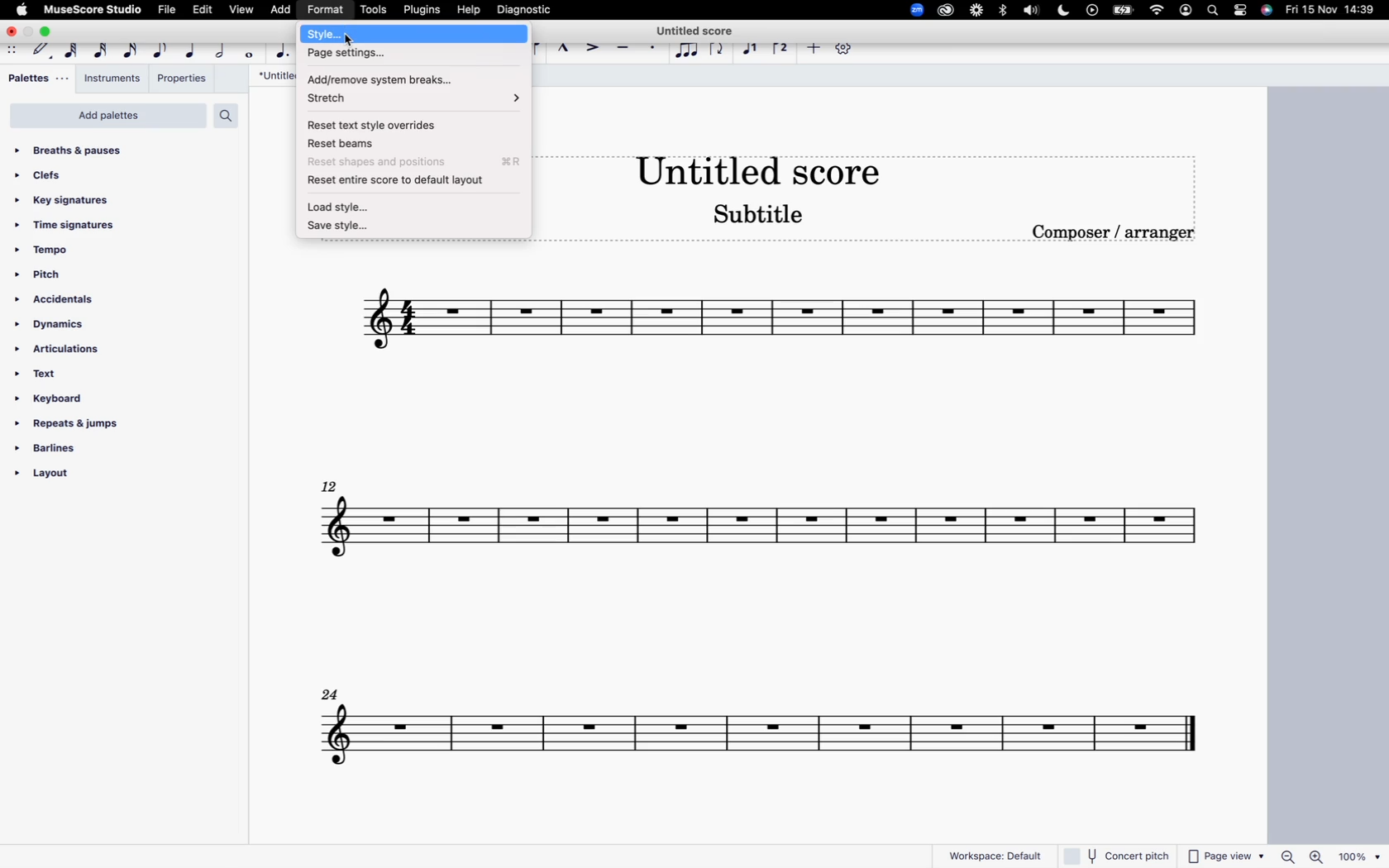  I want to click on file, so click(165, 12).